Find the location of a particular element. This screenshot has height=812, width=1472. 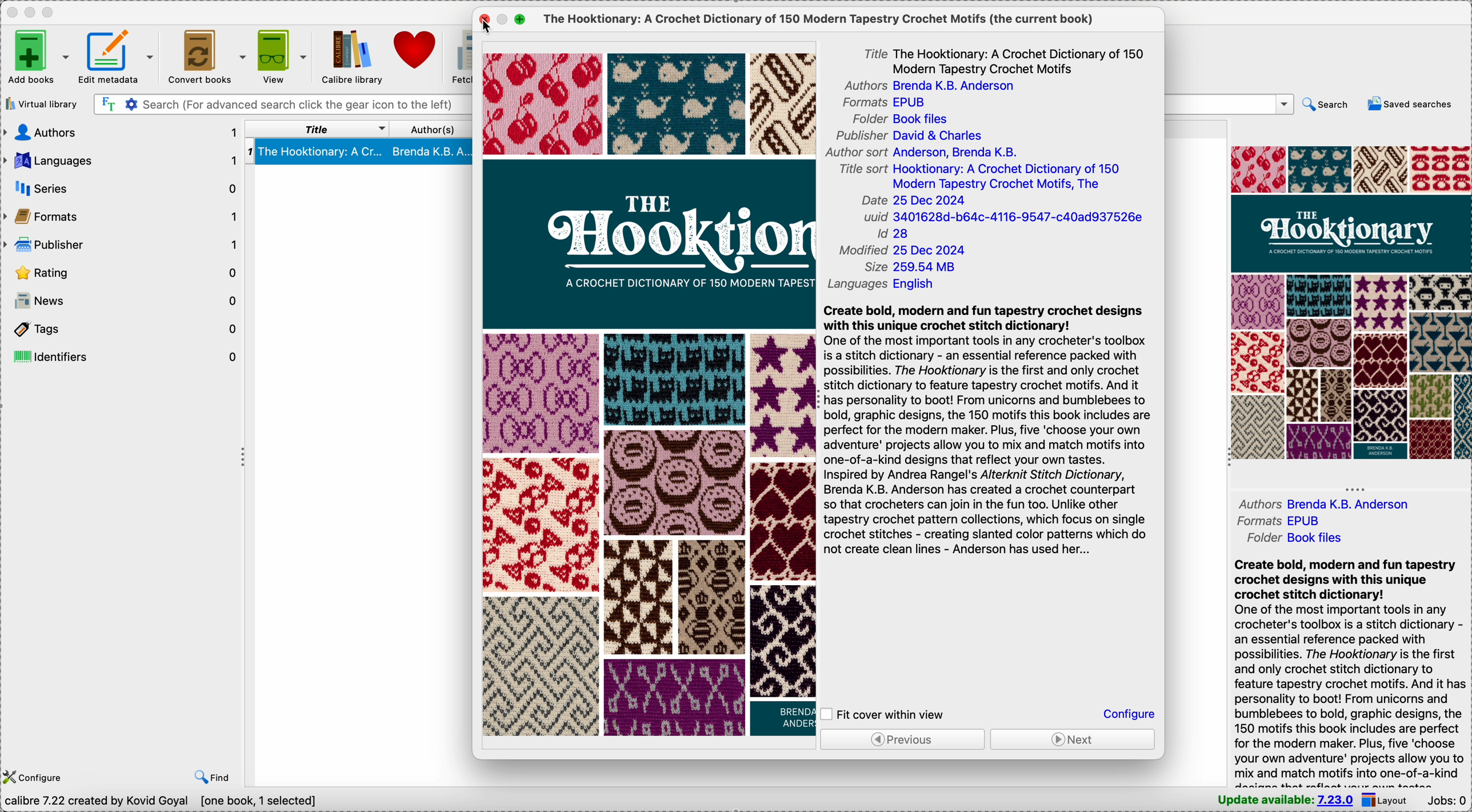

news is located at coordinates (122, 301).